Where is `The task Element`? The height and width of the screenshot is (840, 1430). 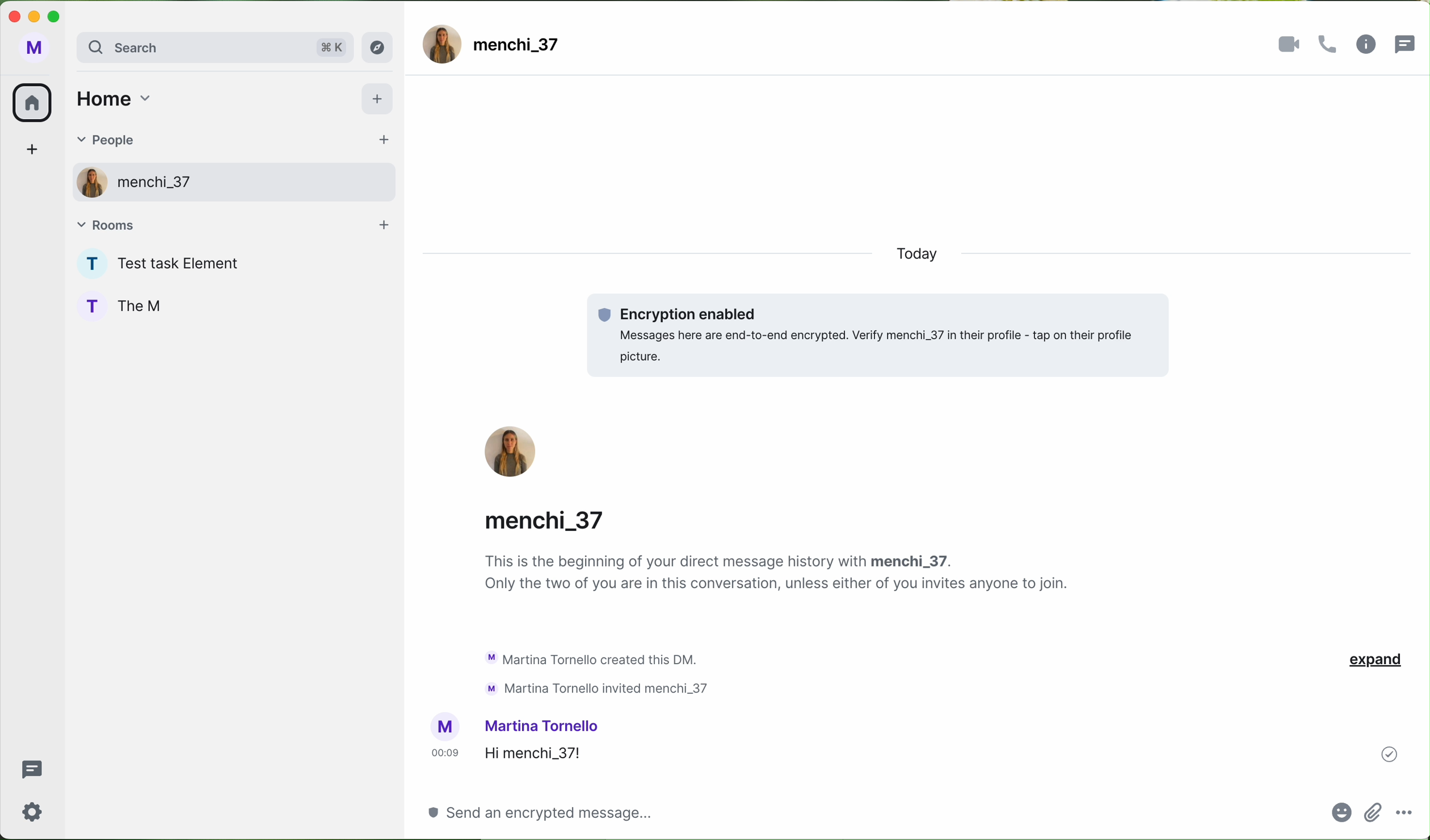 The task Element is located at coordinates (184, 265).